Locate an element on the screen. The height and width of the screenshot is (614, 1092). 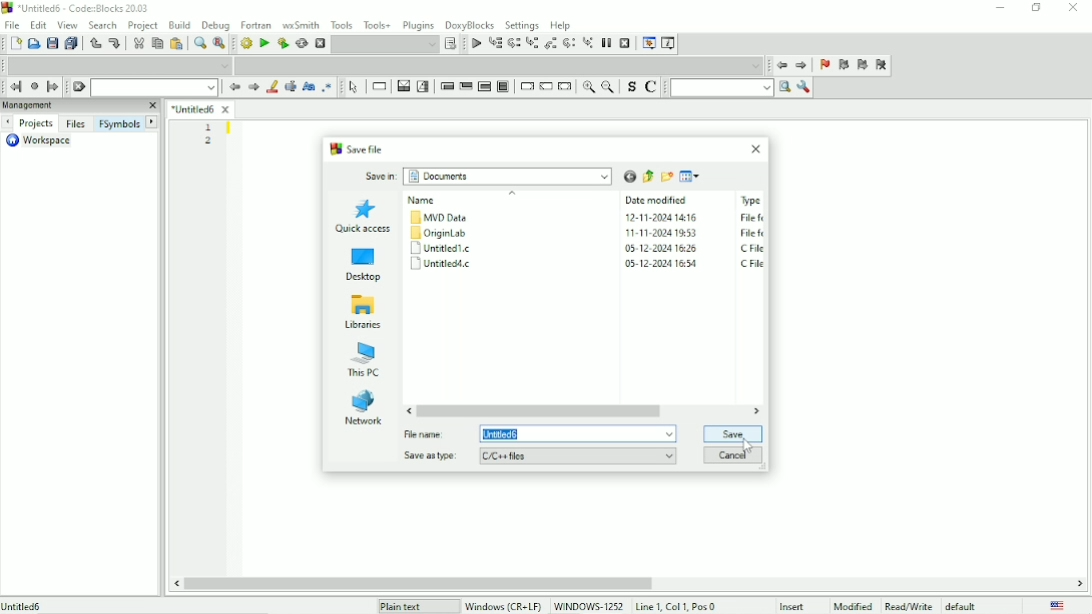
Minimize is located at coordinates (997, 9).